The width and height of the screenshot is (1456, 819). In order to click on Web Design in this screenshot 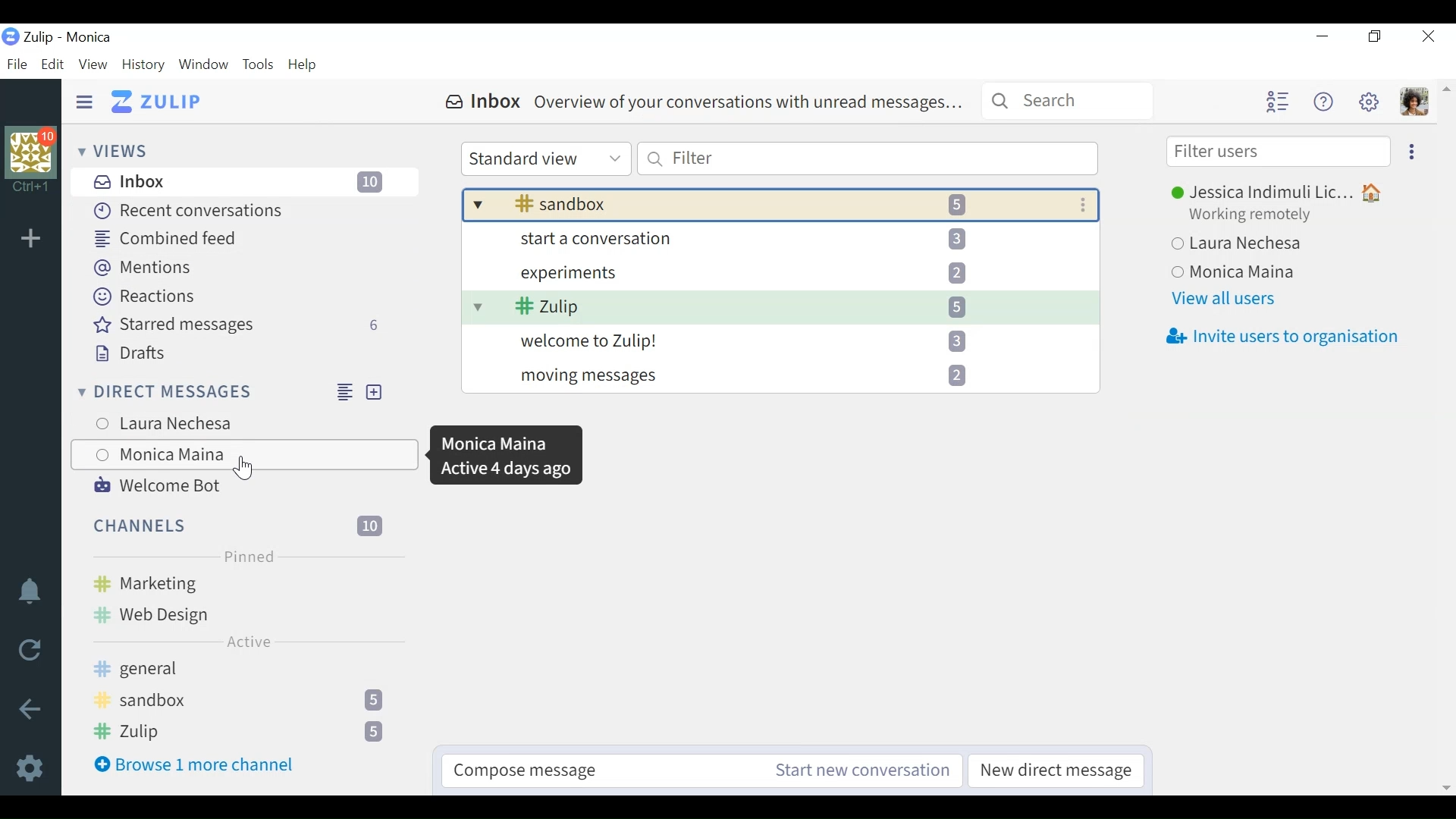, I will do `click(186, 612)`.